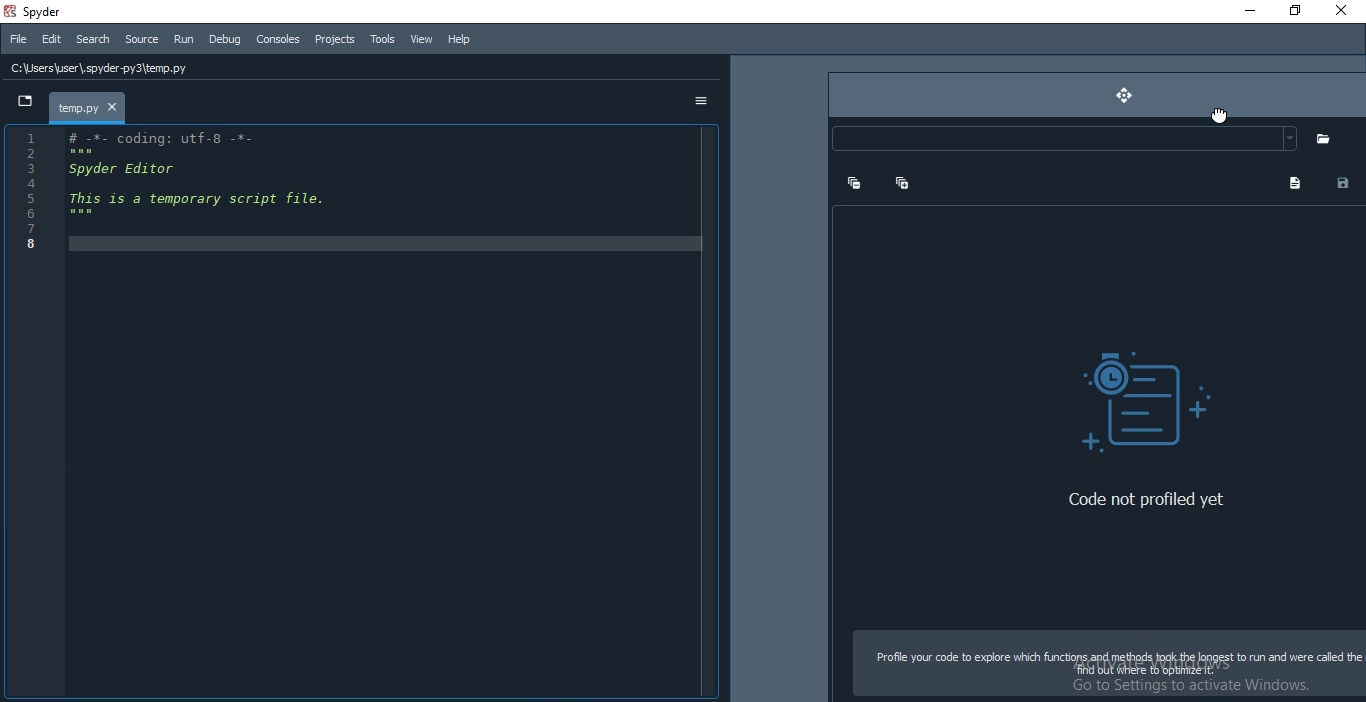 This screenshot has height=702, width=1366. Describe the element at coordinates (1228, 115) in the screenshot. I see `cursor on move button` at that location.